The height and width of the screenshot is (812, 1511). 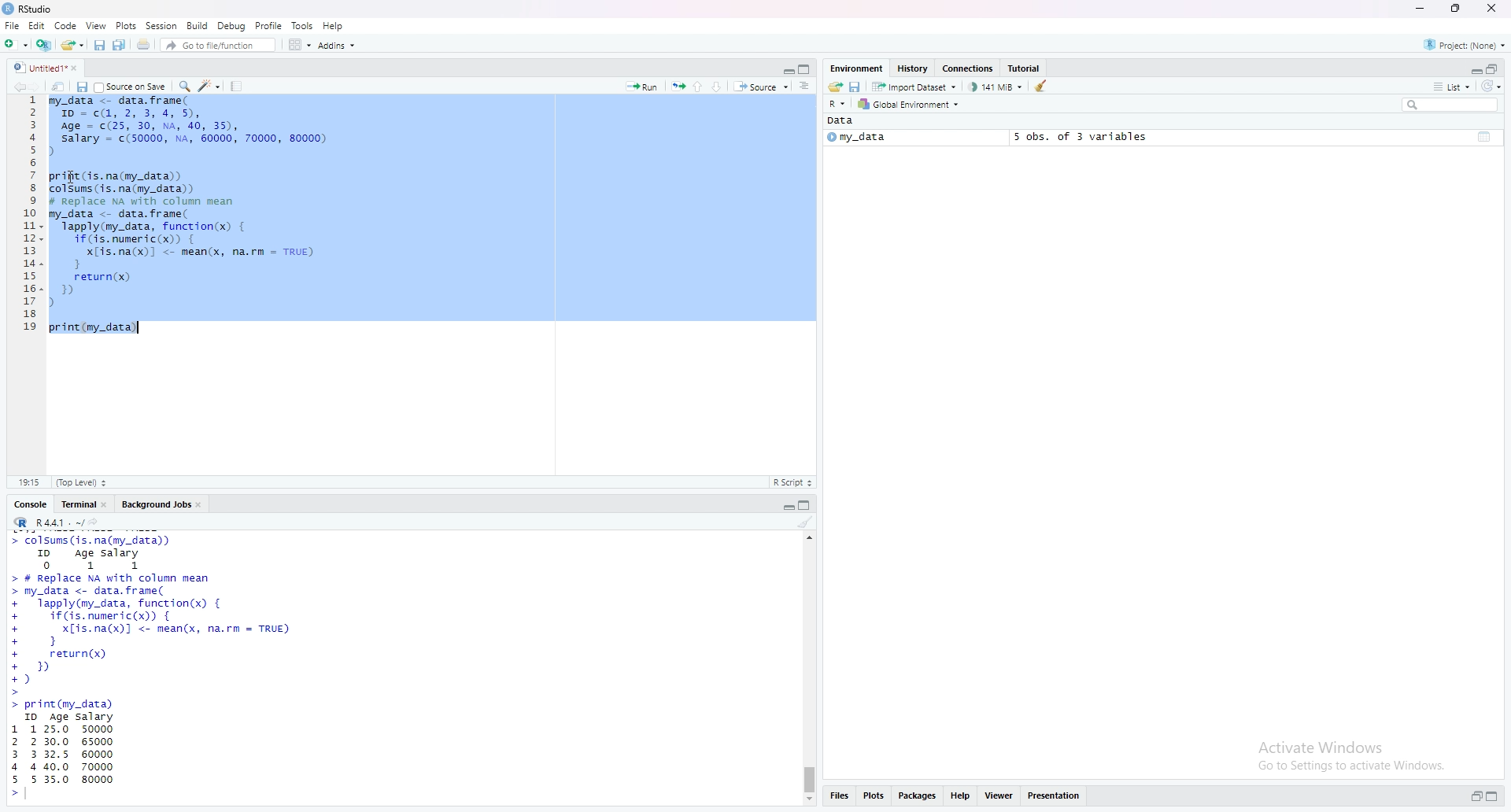 I want to click on expand, so click(x=1475, y=797).